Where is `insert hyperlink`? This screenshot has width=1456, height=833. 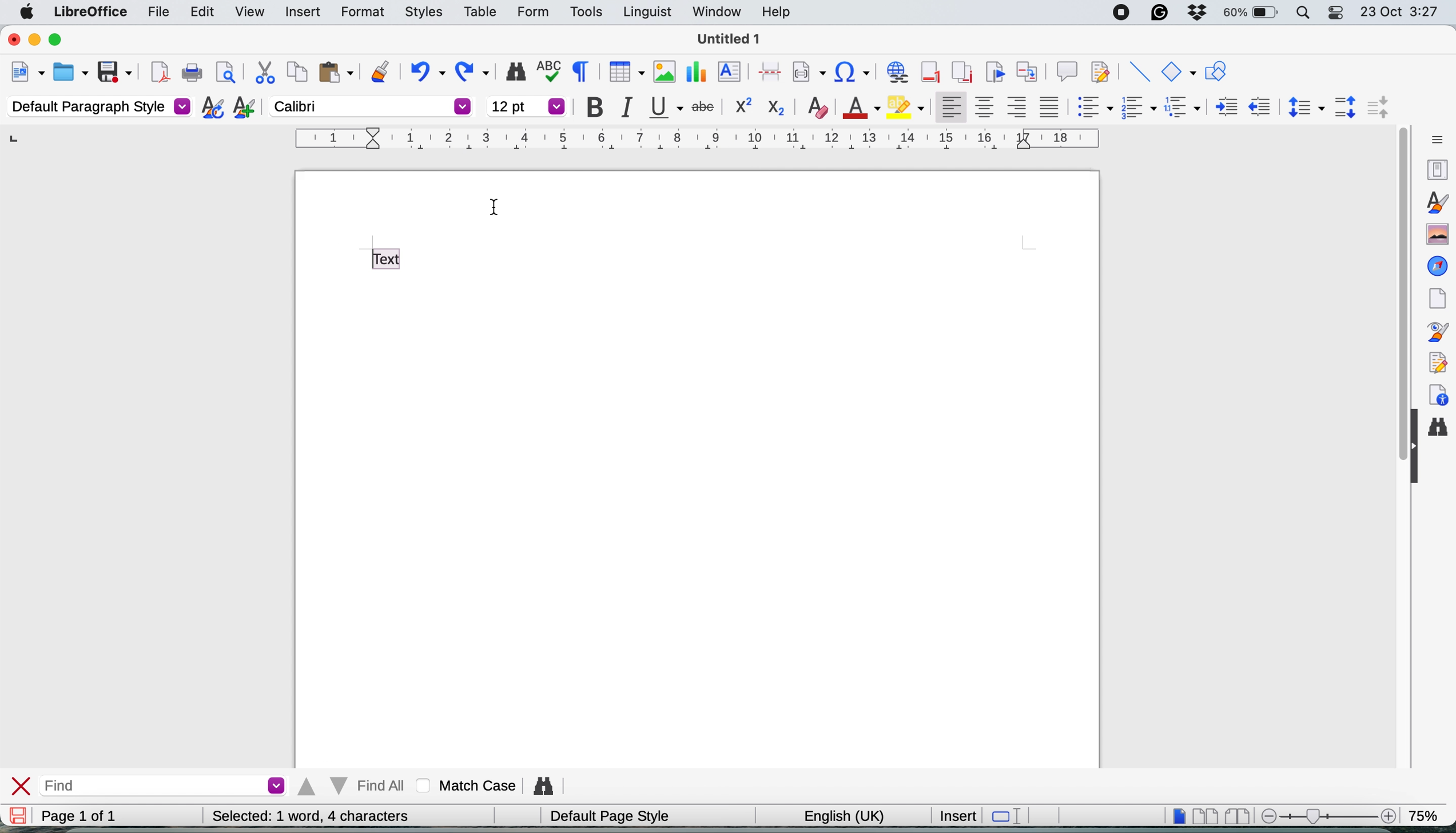
insert hyperlink is located at coordinates (853, 72).